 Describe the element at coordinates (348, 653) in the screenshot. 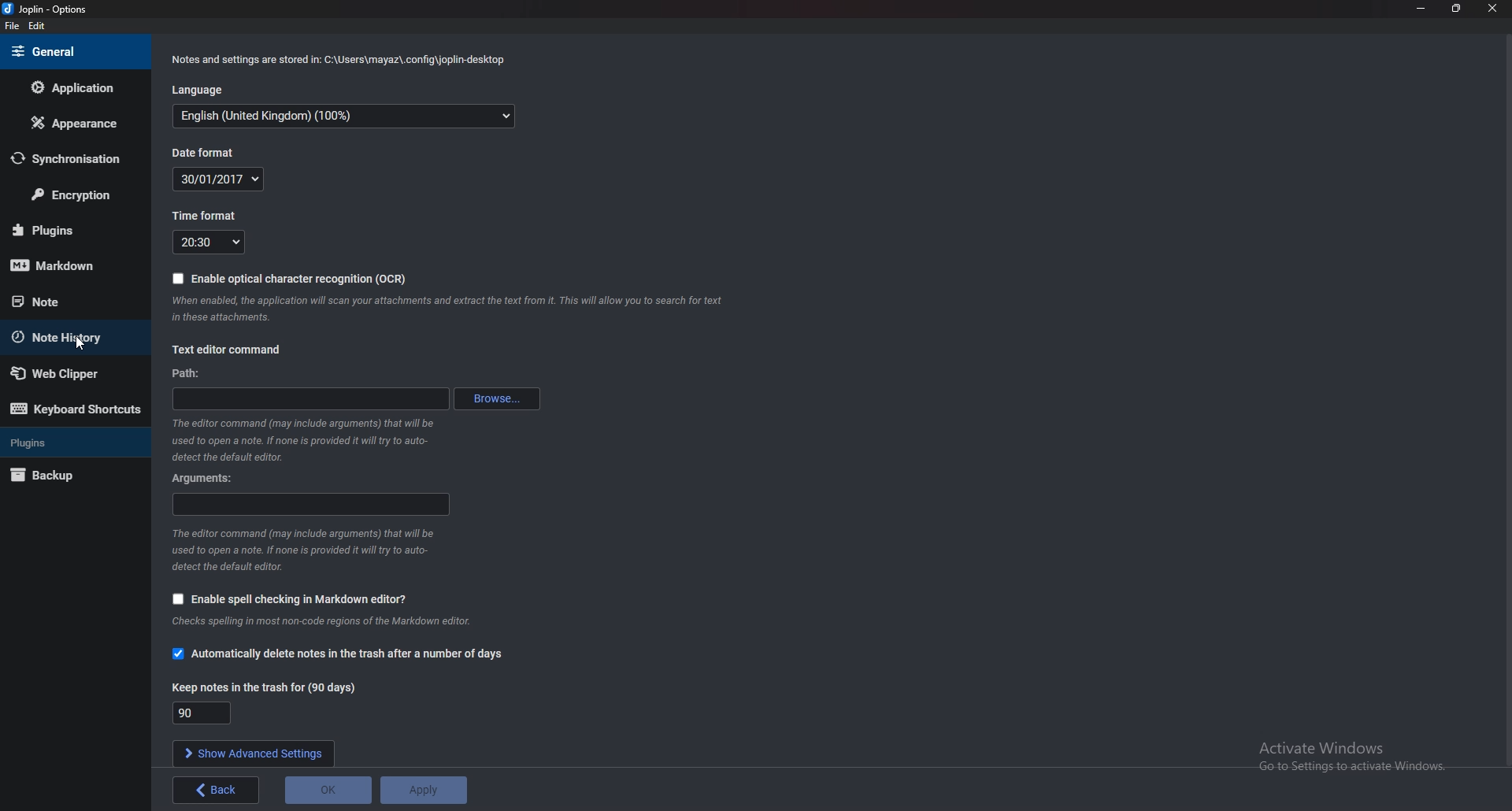

I see `Automatically delete notes in the trash after a number of days` at that location.